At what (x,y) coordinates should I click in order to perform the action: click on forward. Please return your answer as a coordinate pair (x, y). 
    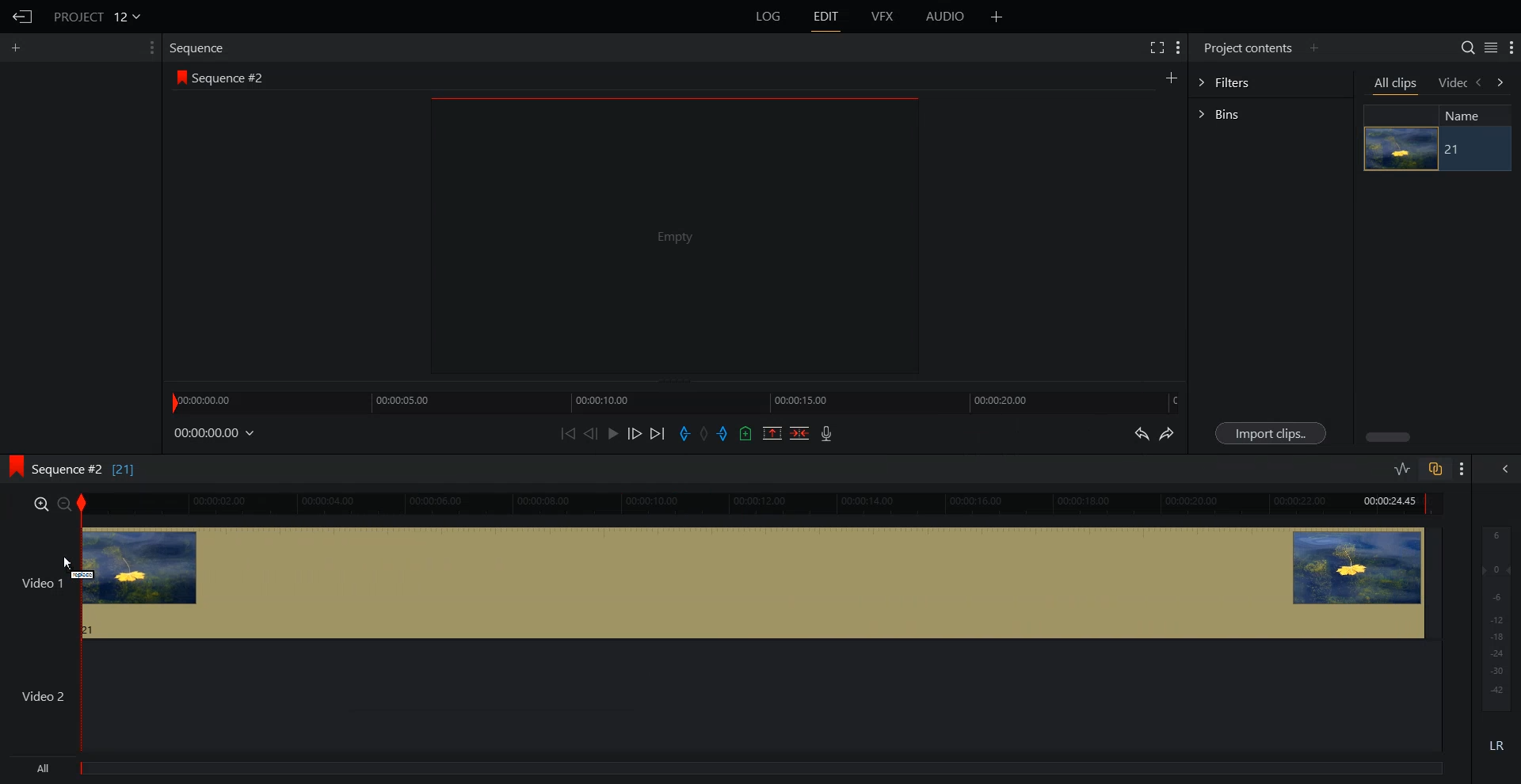
    Looking at the image, I should click on (1503, 84).